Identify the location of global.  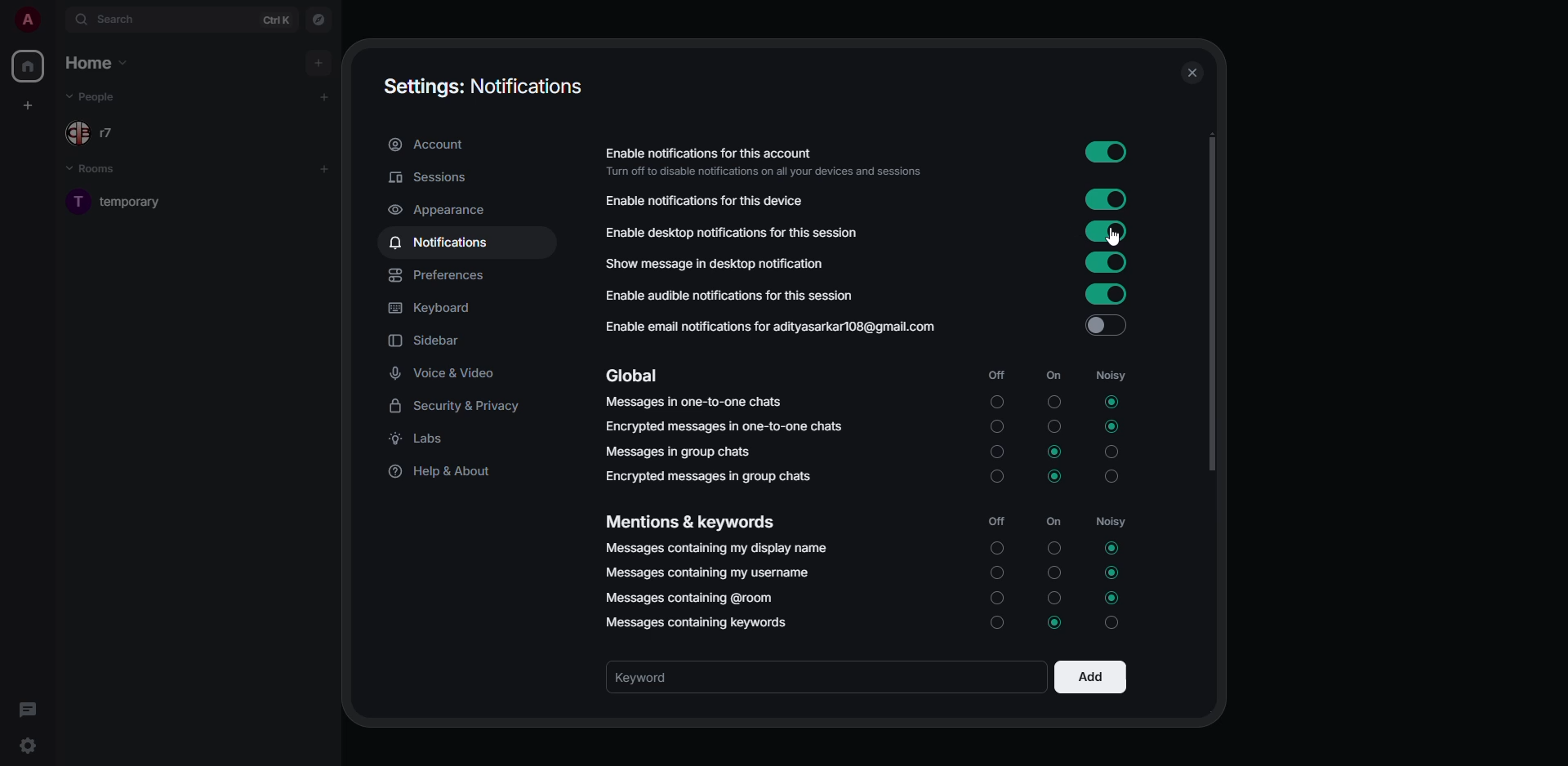
(637, 375).